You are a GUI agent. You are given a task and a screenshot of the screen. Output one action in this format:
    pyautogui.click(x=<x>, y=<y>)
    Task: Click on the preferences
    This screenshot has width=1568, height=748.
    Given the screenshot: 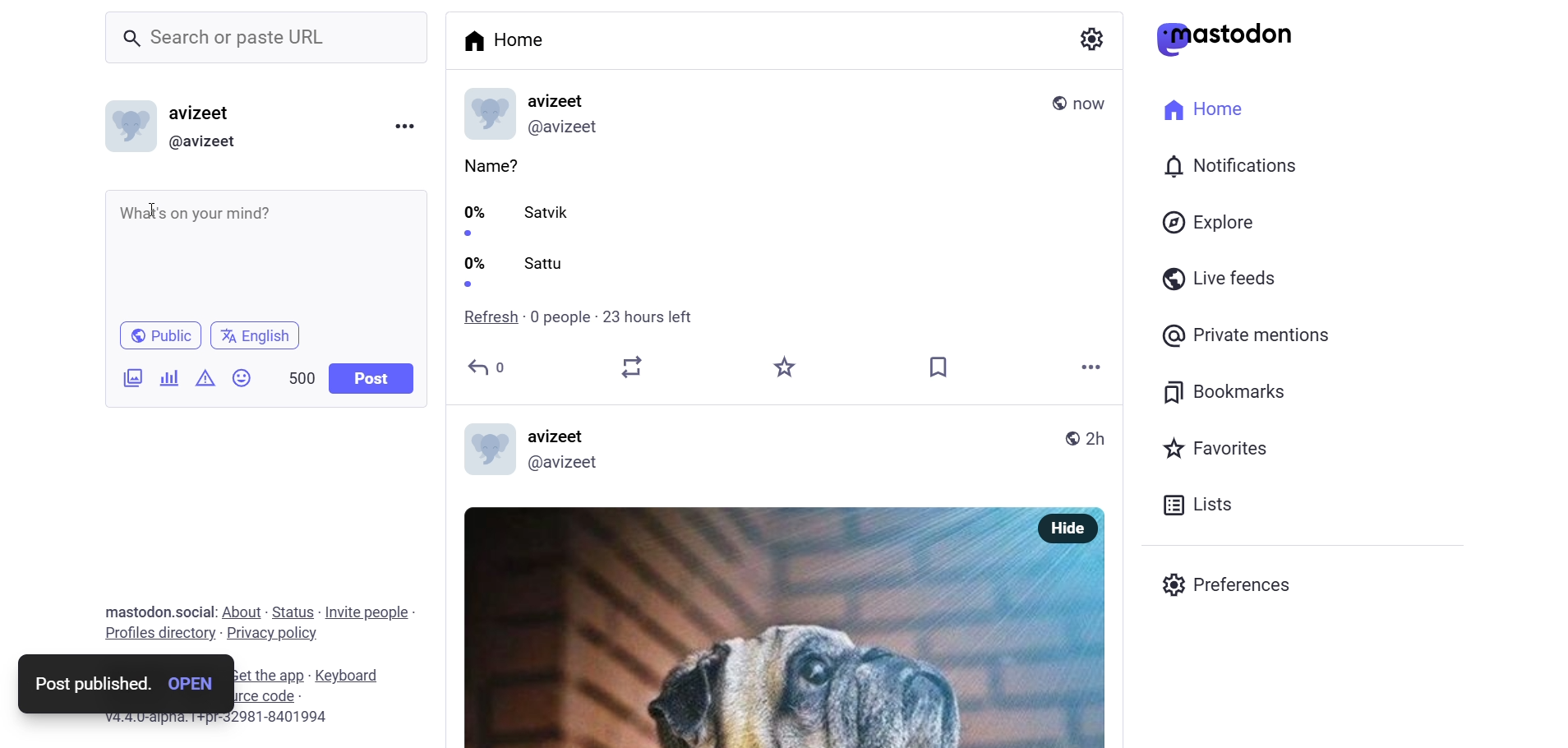 What is the action you would take?
    pyautogui.click(x=1231, y=582)
    